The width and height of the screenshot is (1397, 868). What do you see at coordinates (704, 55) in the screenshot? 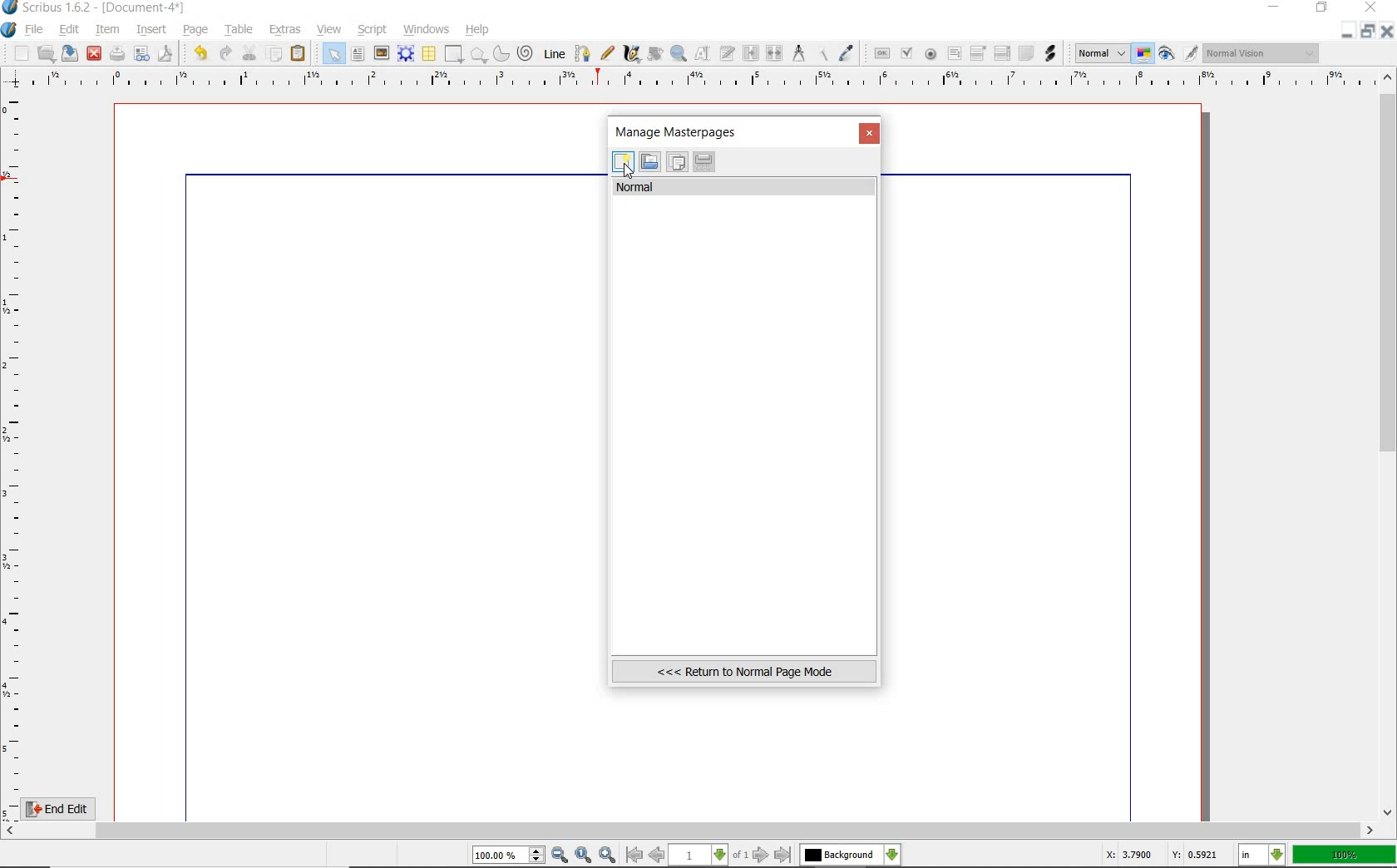
I see `edit contents of frame` at bounding box center [704, 55].